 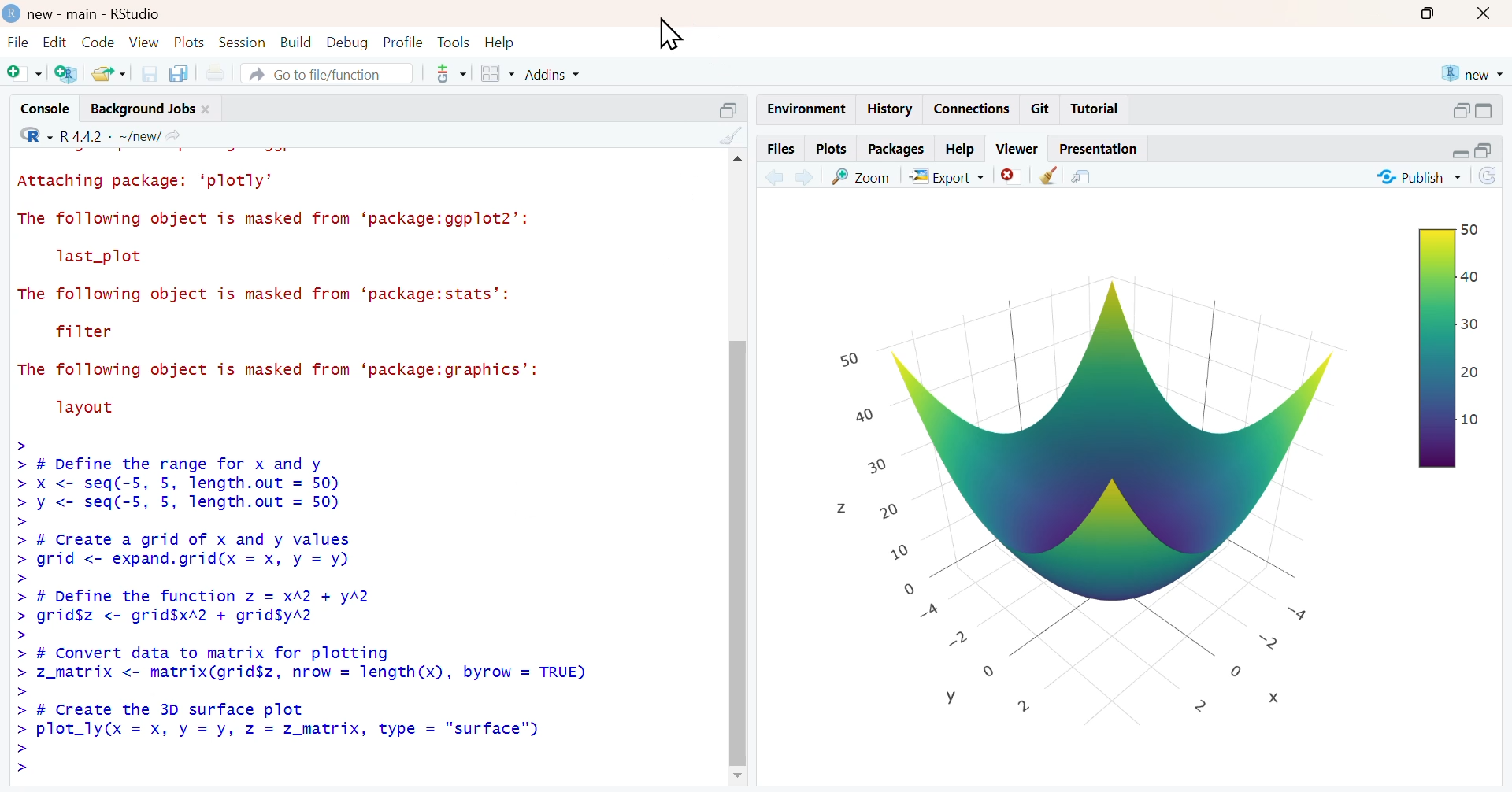 What do you see at coordinates (153, 182) in the screenshot?
I see `Attaching package: ‘plotly’` at bounding box center [153, 182].